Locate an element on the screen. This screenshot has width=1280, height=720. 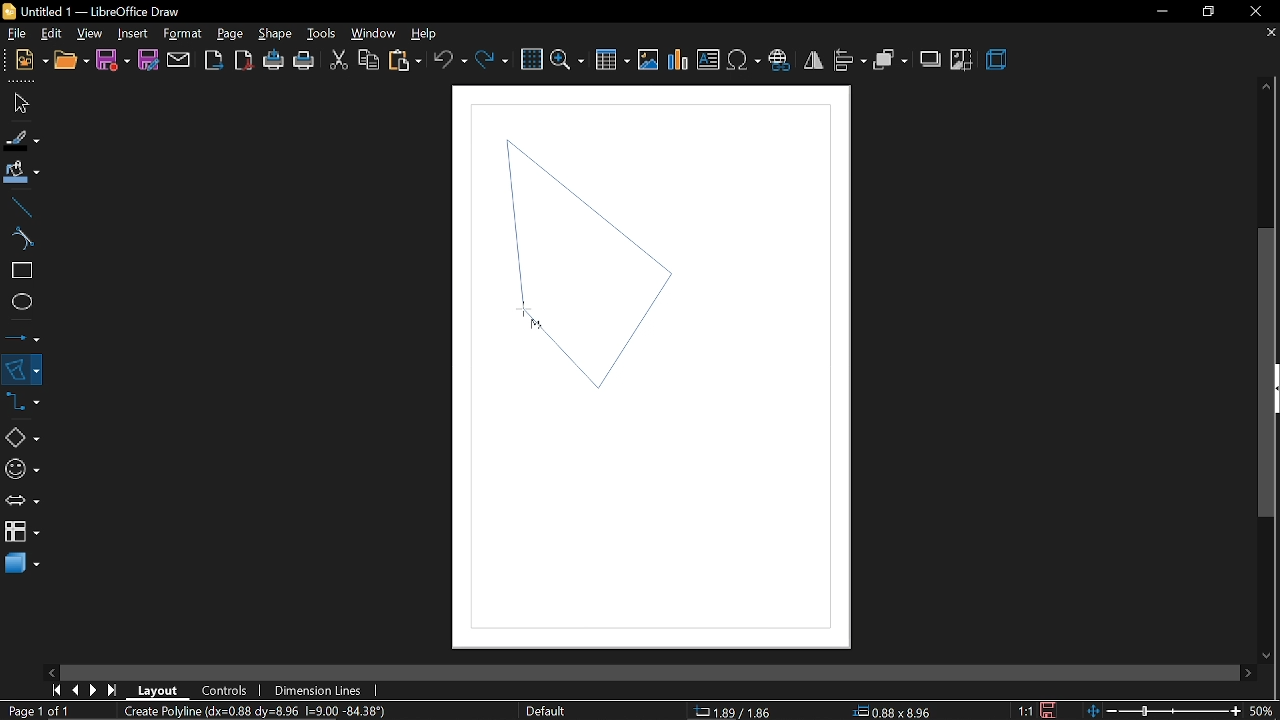
arrows is located at coordinates (22, 502).